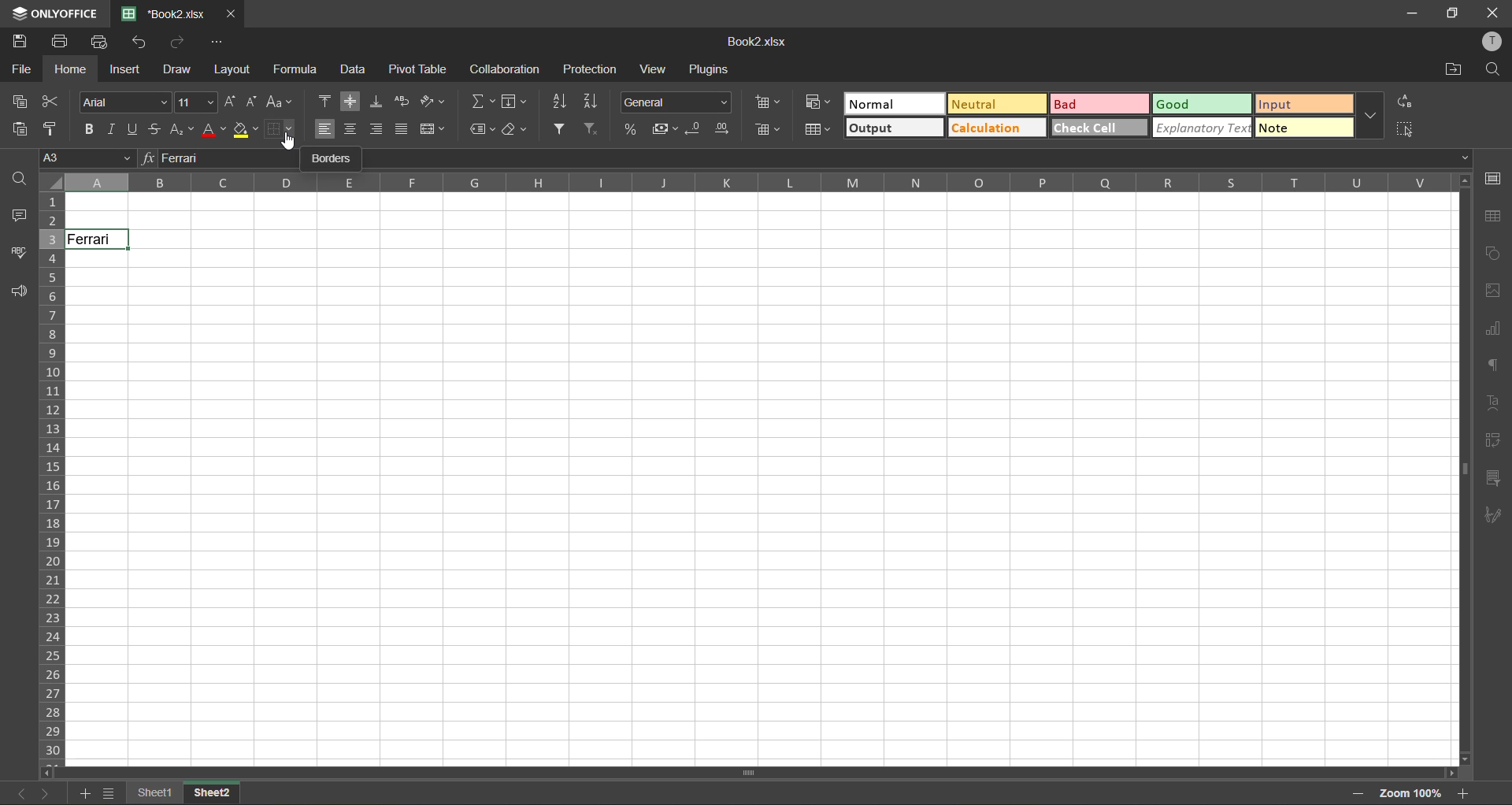  What do you see at coordinates (1494, 512) in the screenshot?
I see `signature` at bounding box center [1494, 512].